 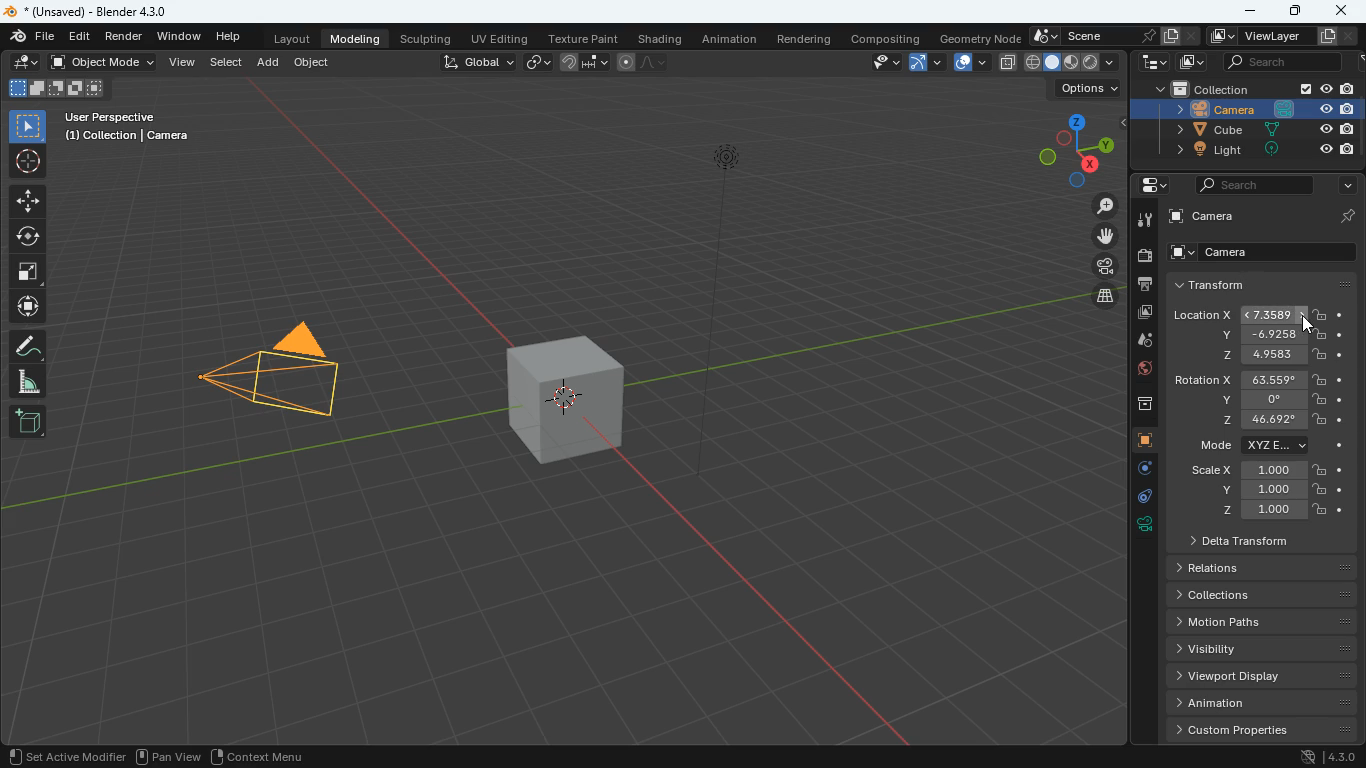 What do you see at coordinates (125, 37) in the screenshot?
I see `render` at bounding box center [125, 37].